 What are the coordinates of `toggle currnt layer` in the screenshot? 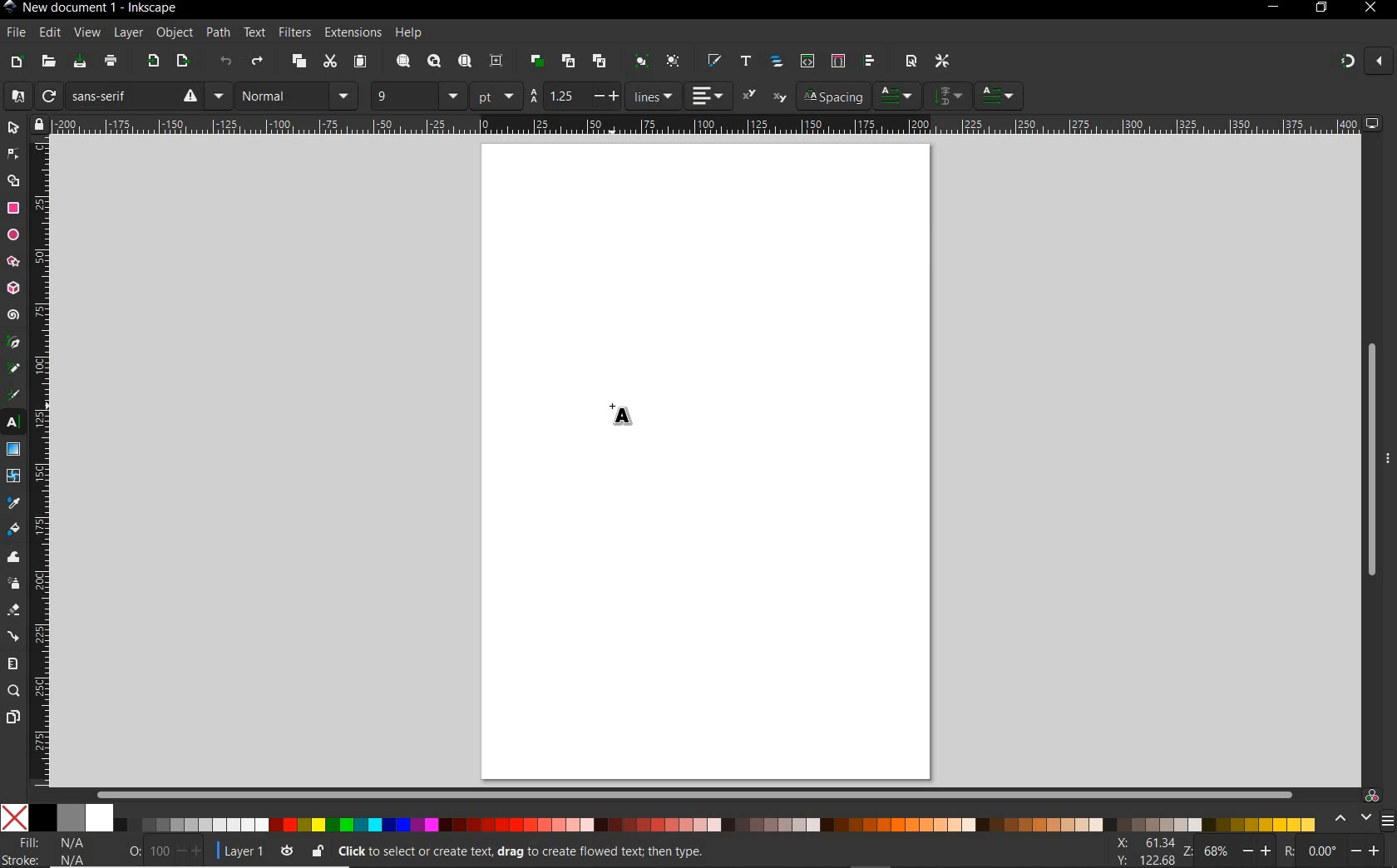 It's located at (287, 850).